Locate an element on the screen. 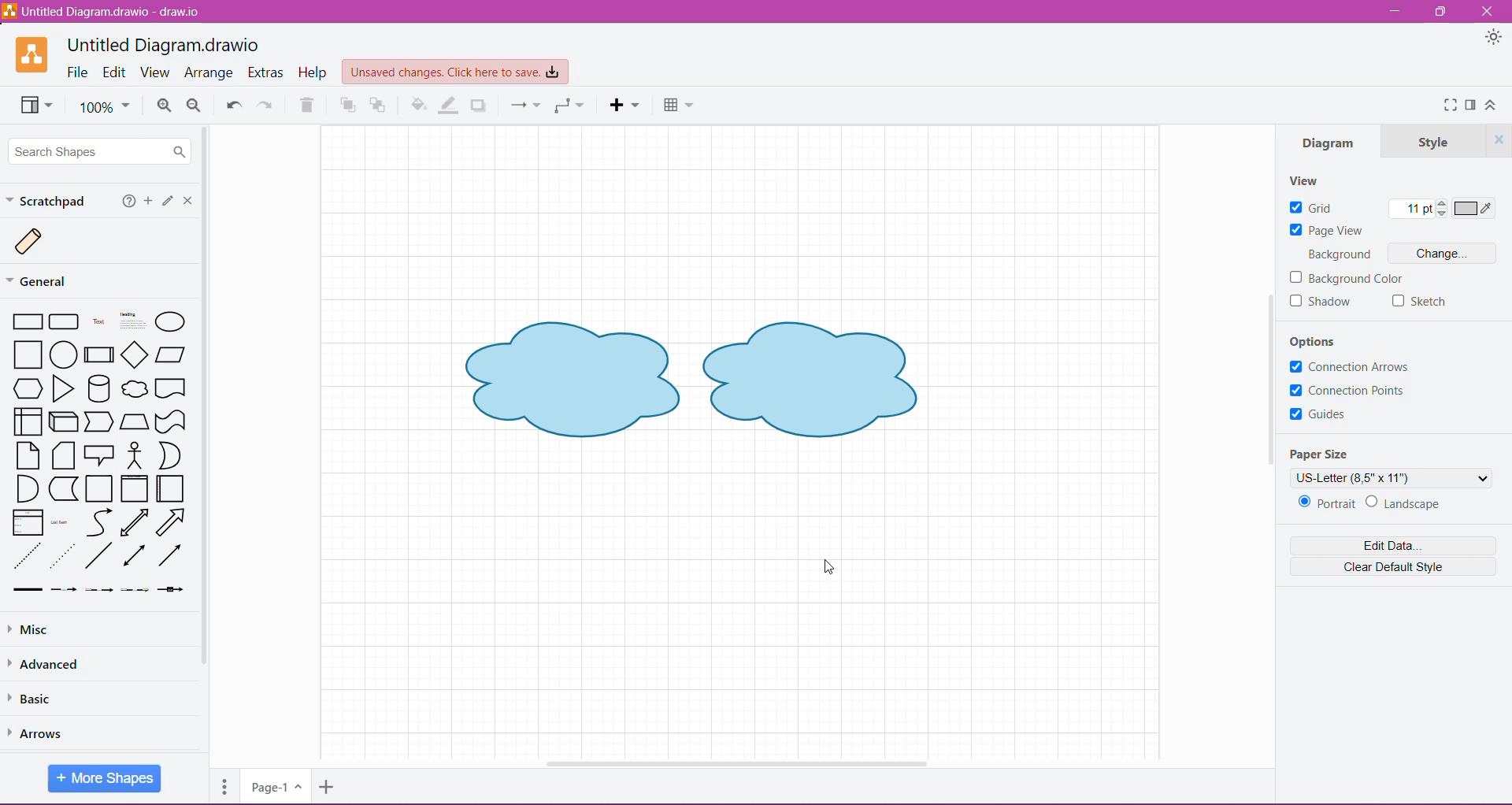  Landscape is located at coordinates (1407, 503).